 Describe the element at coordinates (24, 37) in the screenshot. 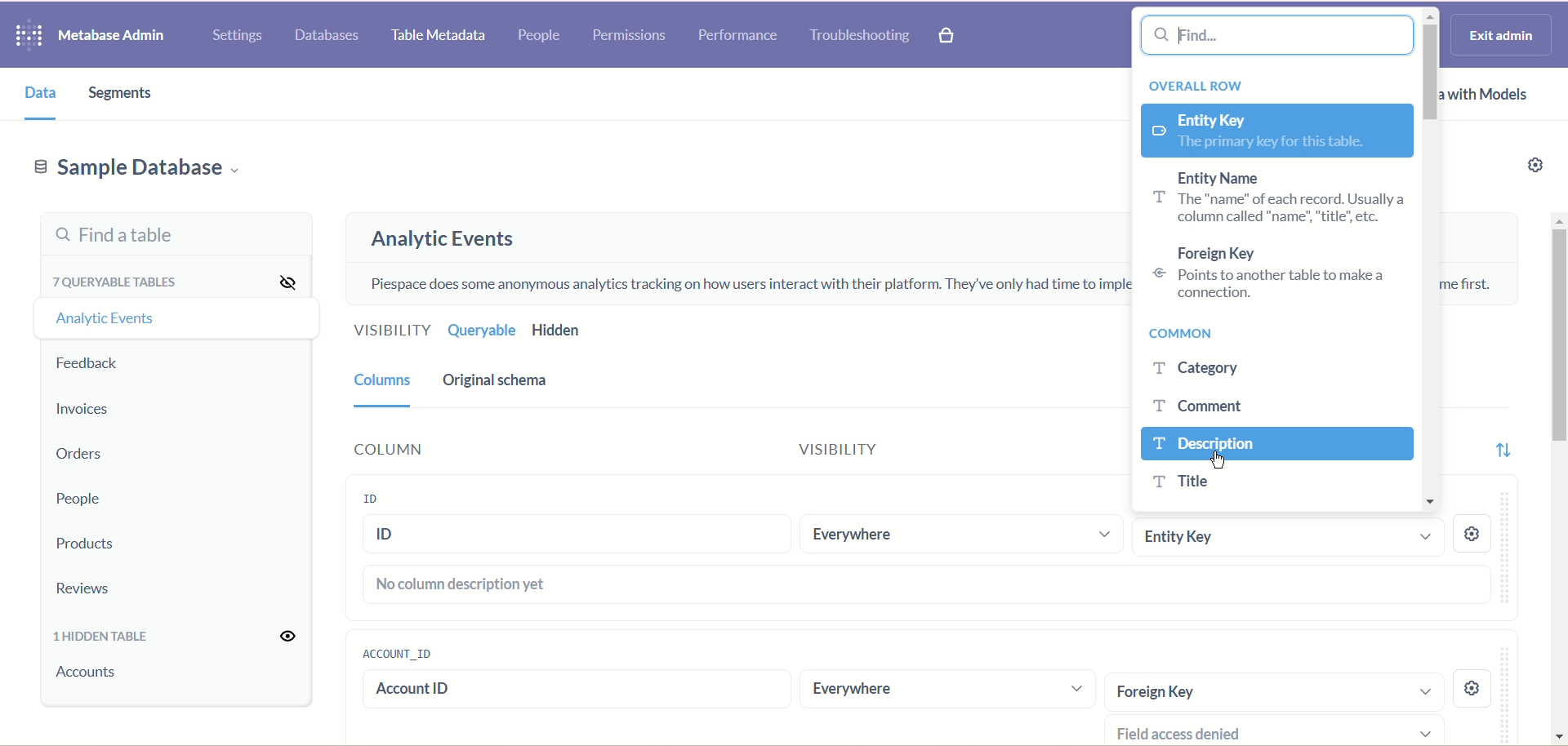

I see `logo` at that location.